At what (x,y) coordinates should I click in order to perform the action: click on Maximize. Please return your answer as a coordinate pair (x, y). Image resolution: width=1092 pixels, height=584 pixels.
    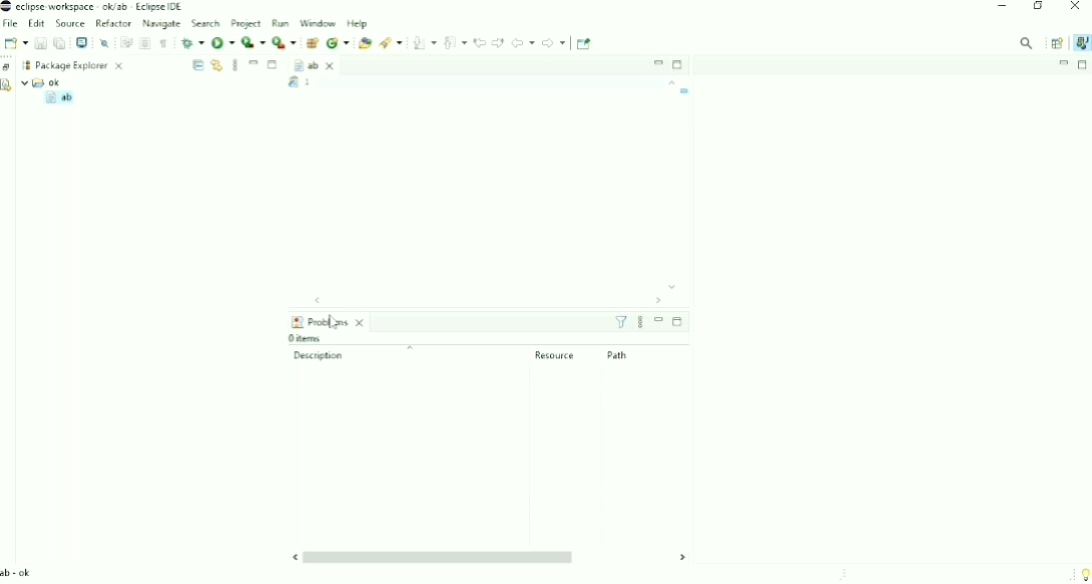
    Looking at the image, I should click on (1083, 65).